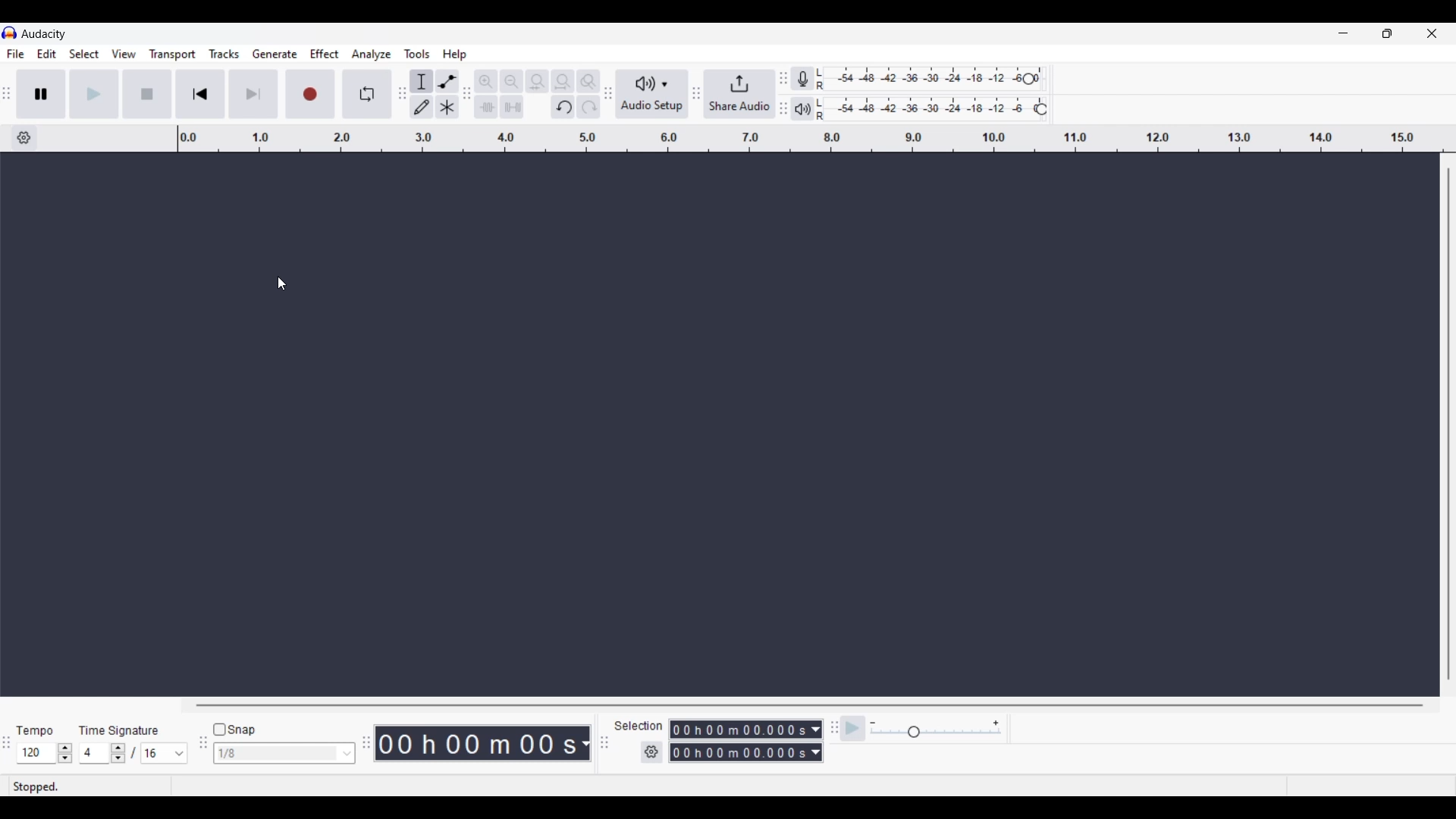  Describe the element at coordinates (224, 54) in the screenshot. I see `Tracks menu` at that location.